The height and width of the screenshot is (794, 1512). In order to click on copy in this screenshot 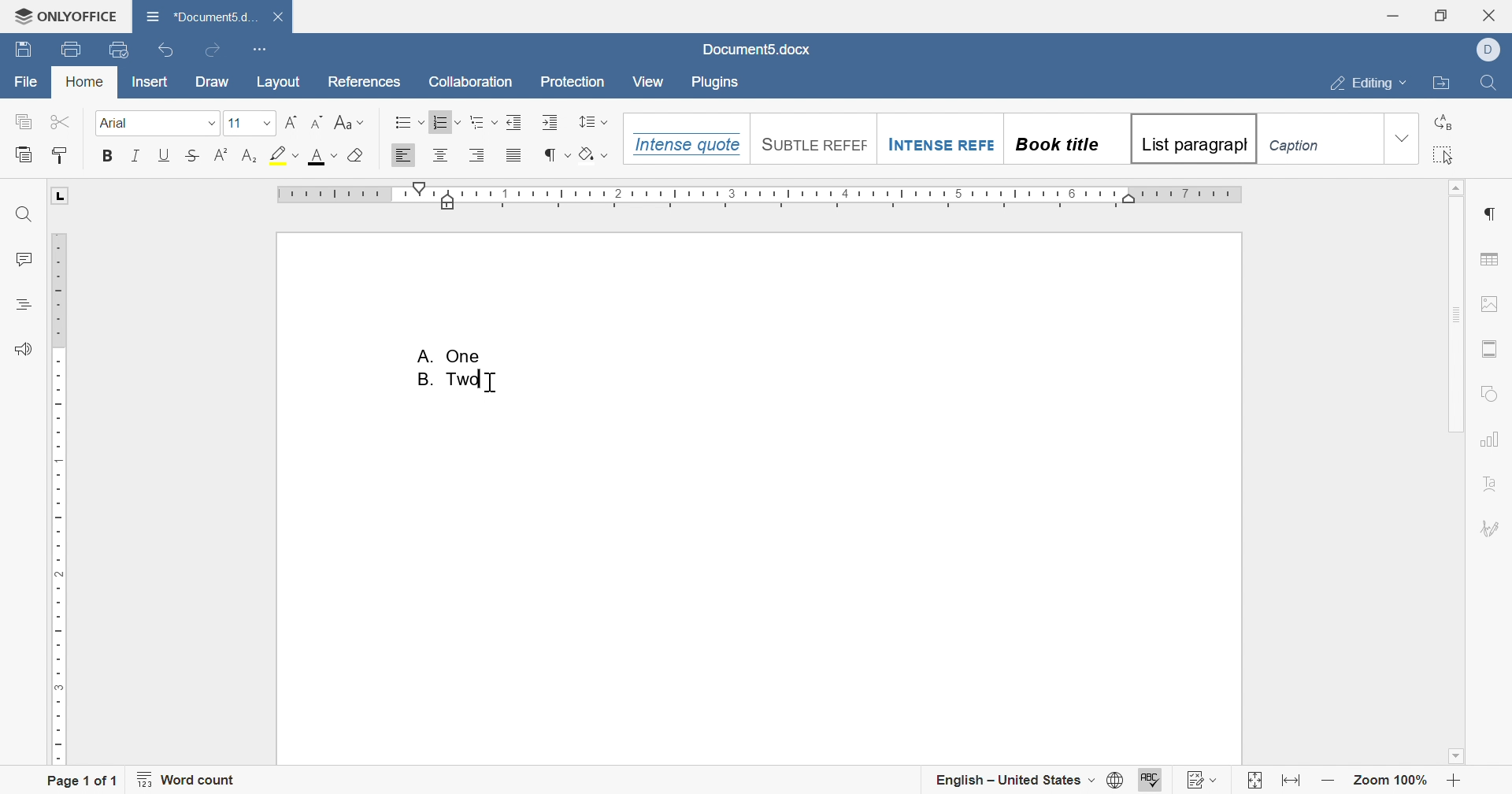, I will do `click(24, 121)`.